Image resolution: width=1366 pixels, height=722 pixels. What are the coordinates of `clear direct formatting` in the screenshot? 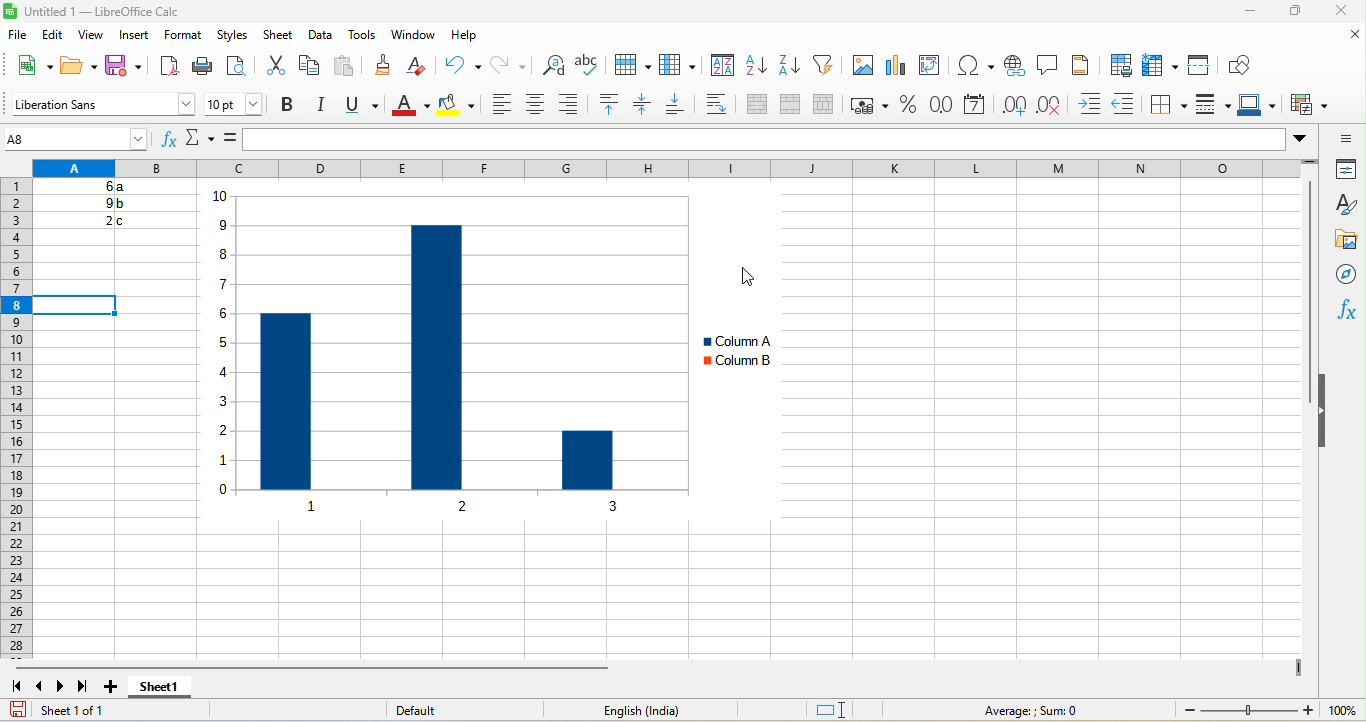 It's located at (423, 69).